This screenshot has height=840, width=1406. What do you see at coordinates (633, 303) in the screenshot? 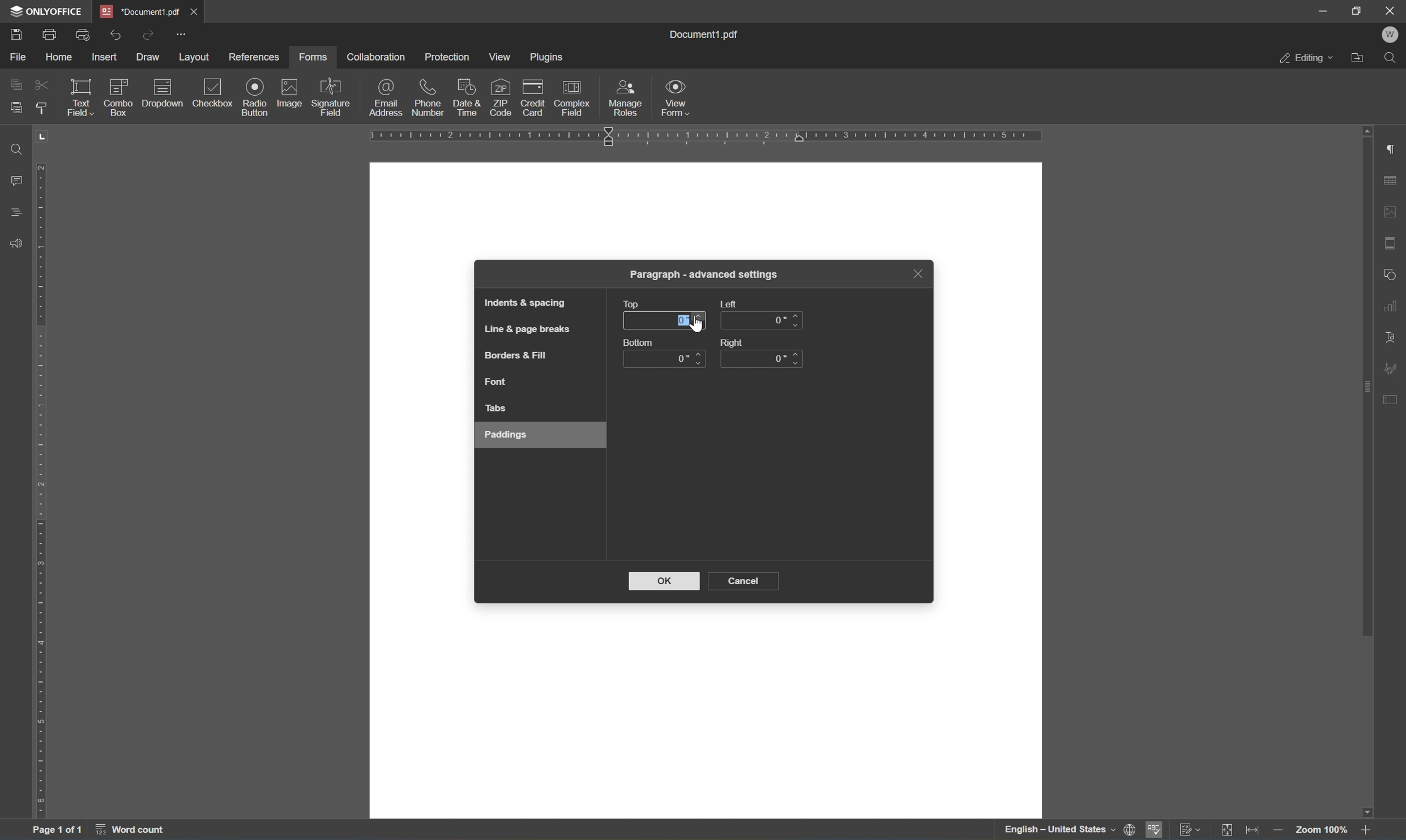
I see `top` at bounding box center [633, 303].